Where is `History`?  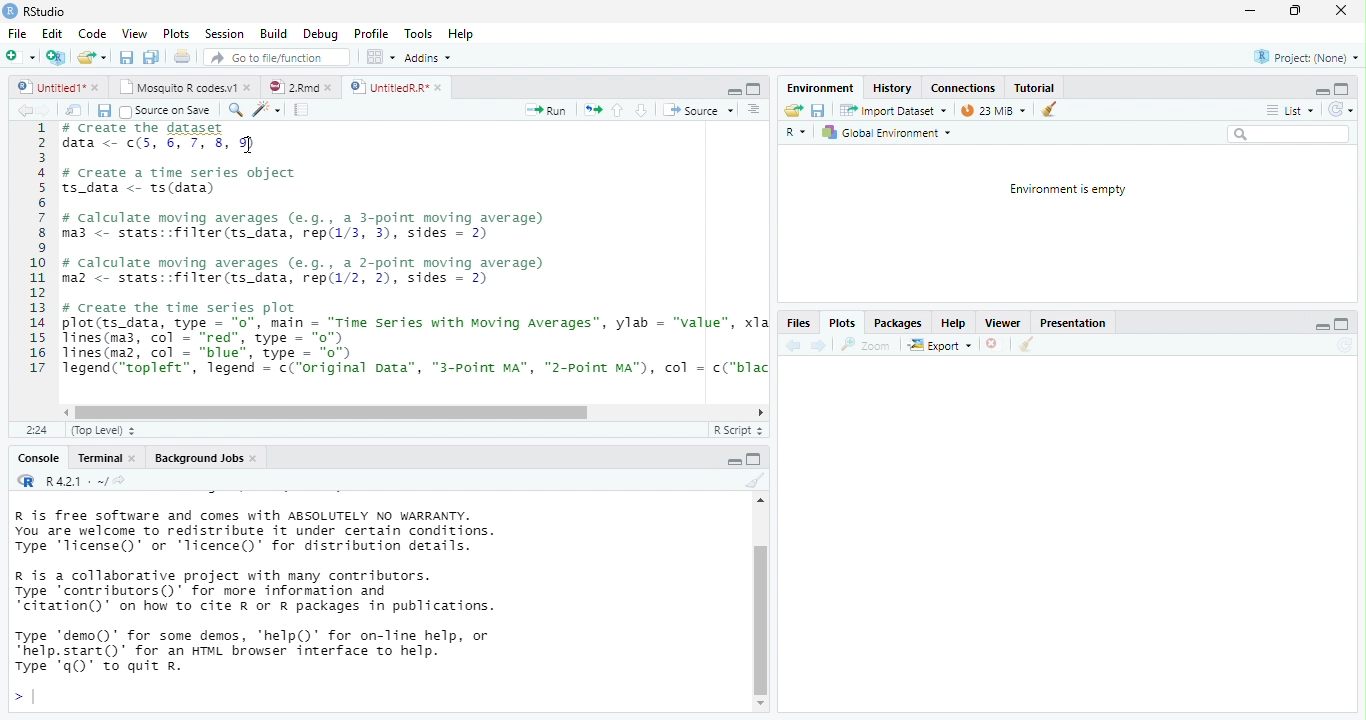 History is located at coordinates (892, 87).